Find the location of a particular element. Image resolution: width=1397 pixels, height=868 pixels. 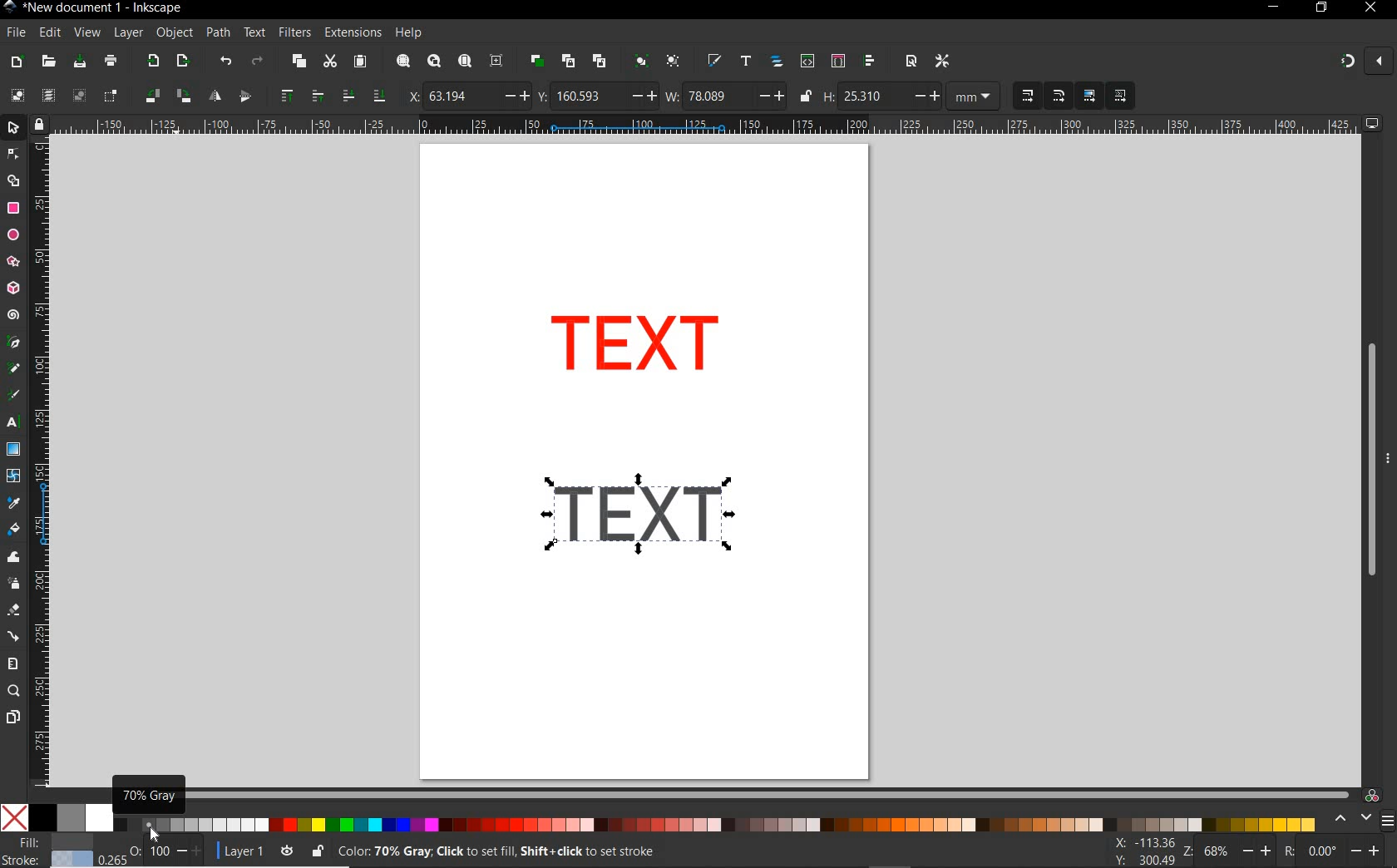

spiral tool is located at coordinates (13, 317).